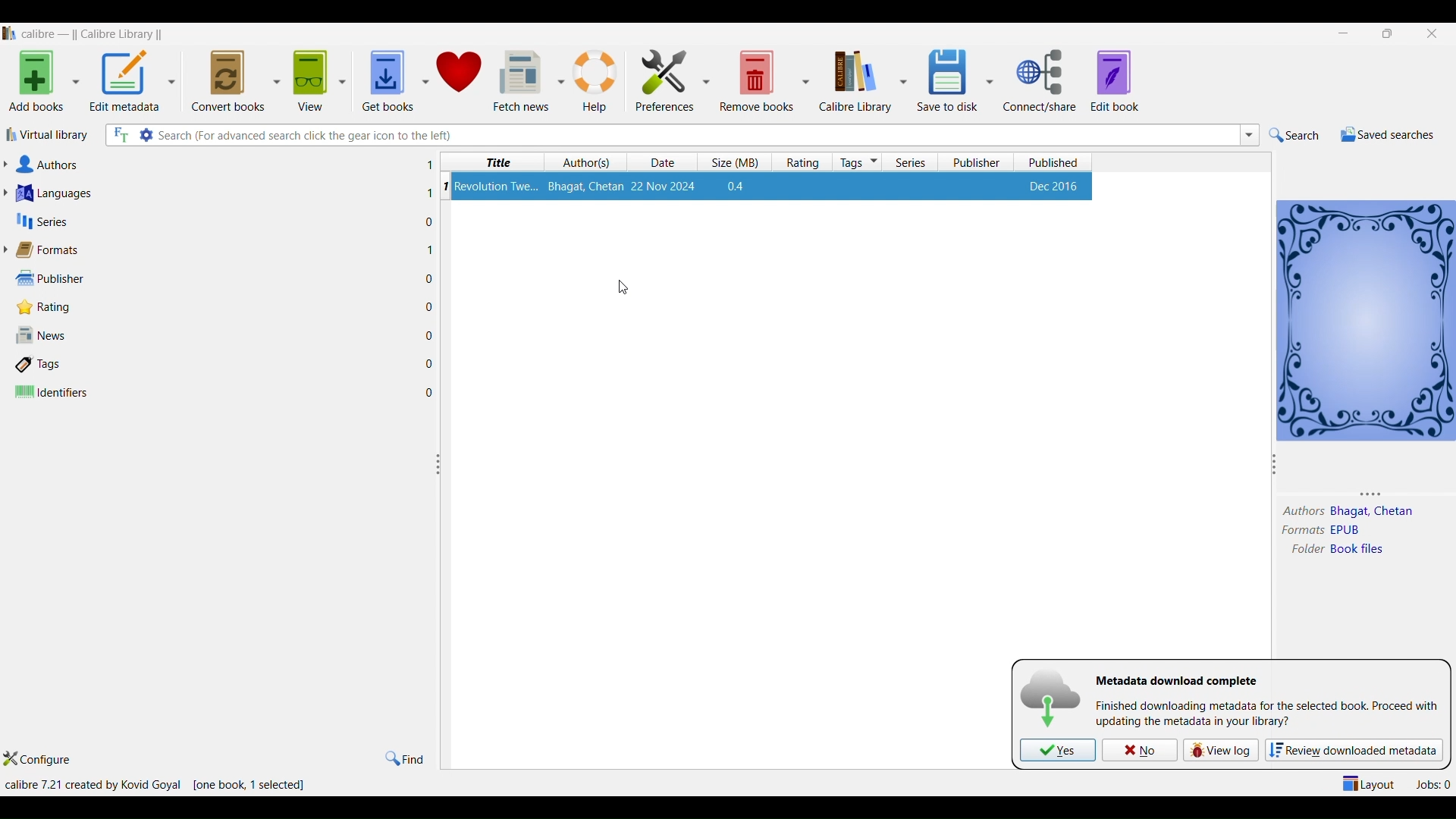  What do you see at coordinates (1175, 680) in the screenshot?
I see `download completion notification` at bounding box center [1175, 680].